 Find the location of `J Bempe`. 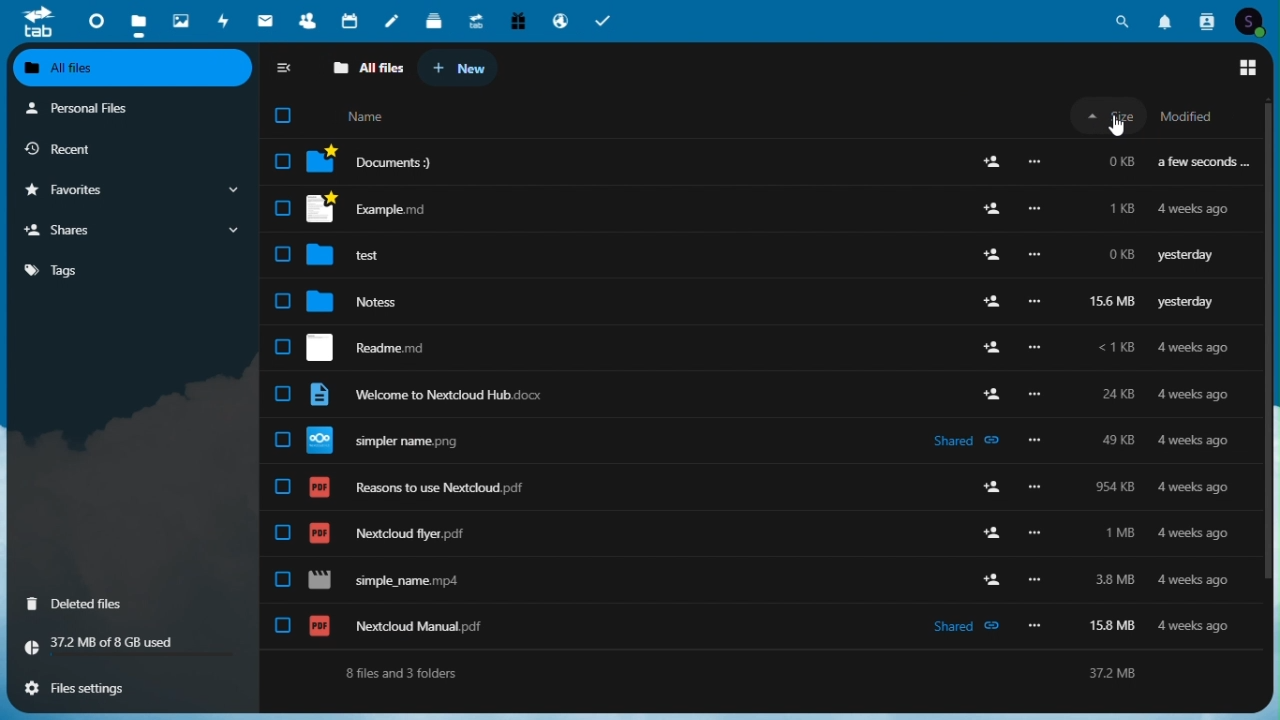

J Bempe is located at coordinates (755, 206).